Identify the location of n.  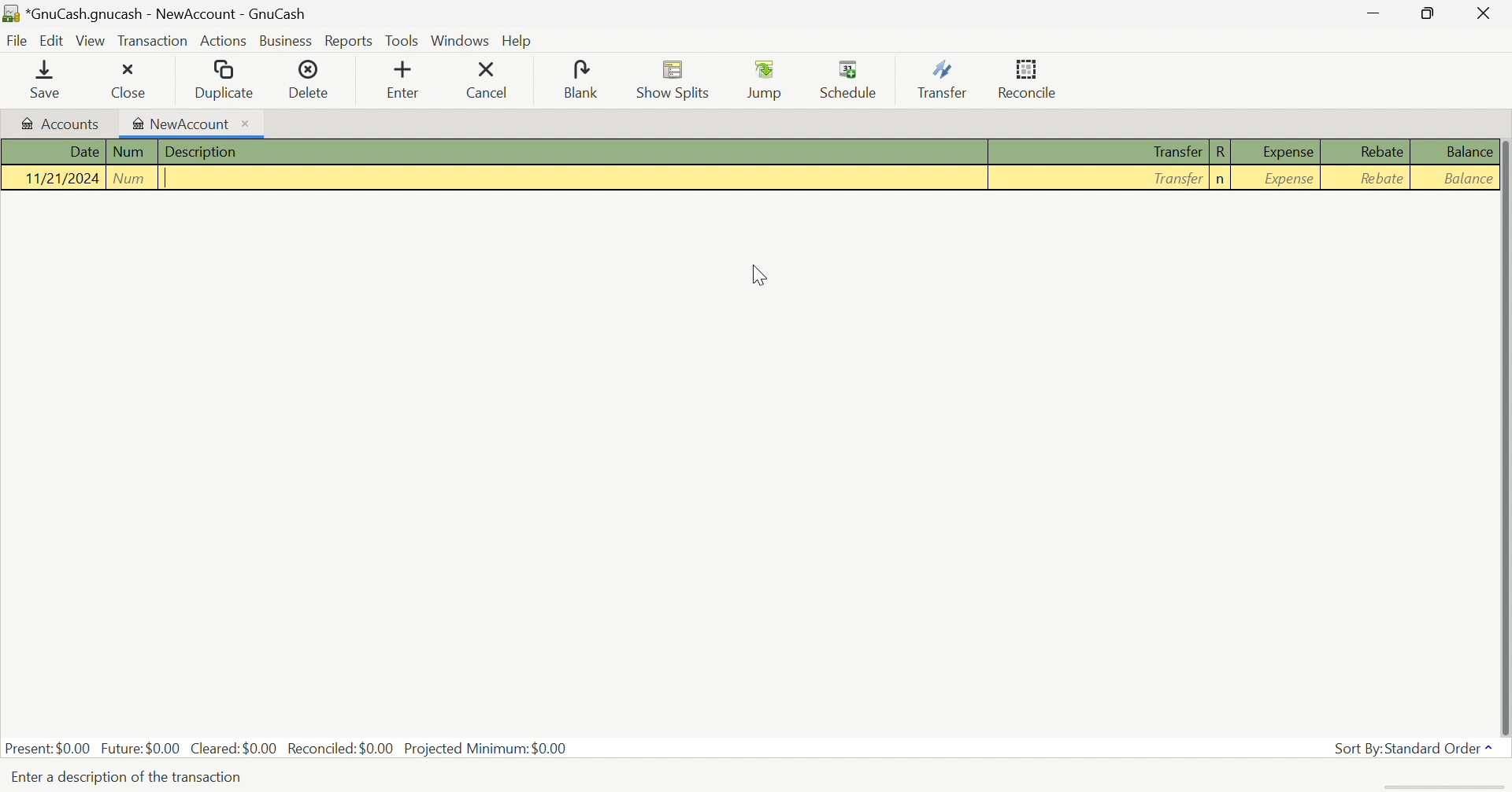
(1221, 179).